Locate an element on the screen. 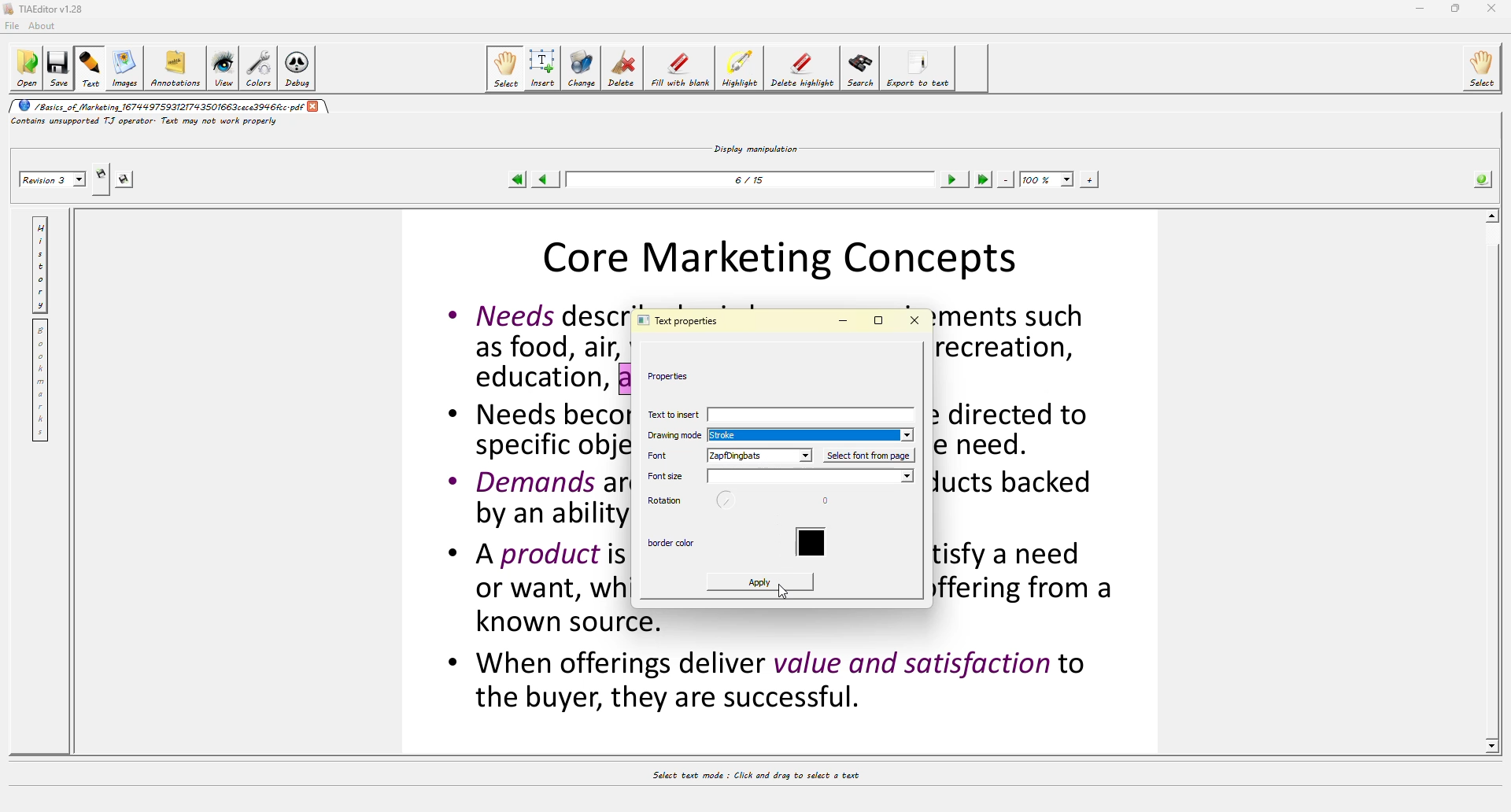 This screenshot has height=812, width=1511. fill with blank is located at coordinates (678, 71).